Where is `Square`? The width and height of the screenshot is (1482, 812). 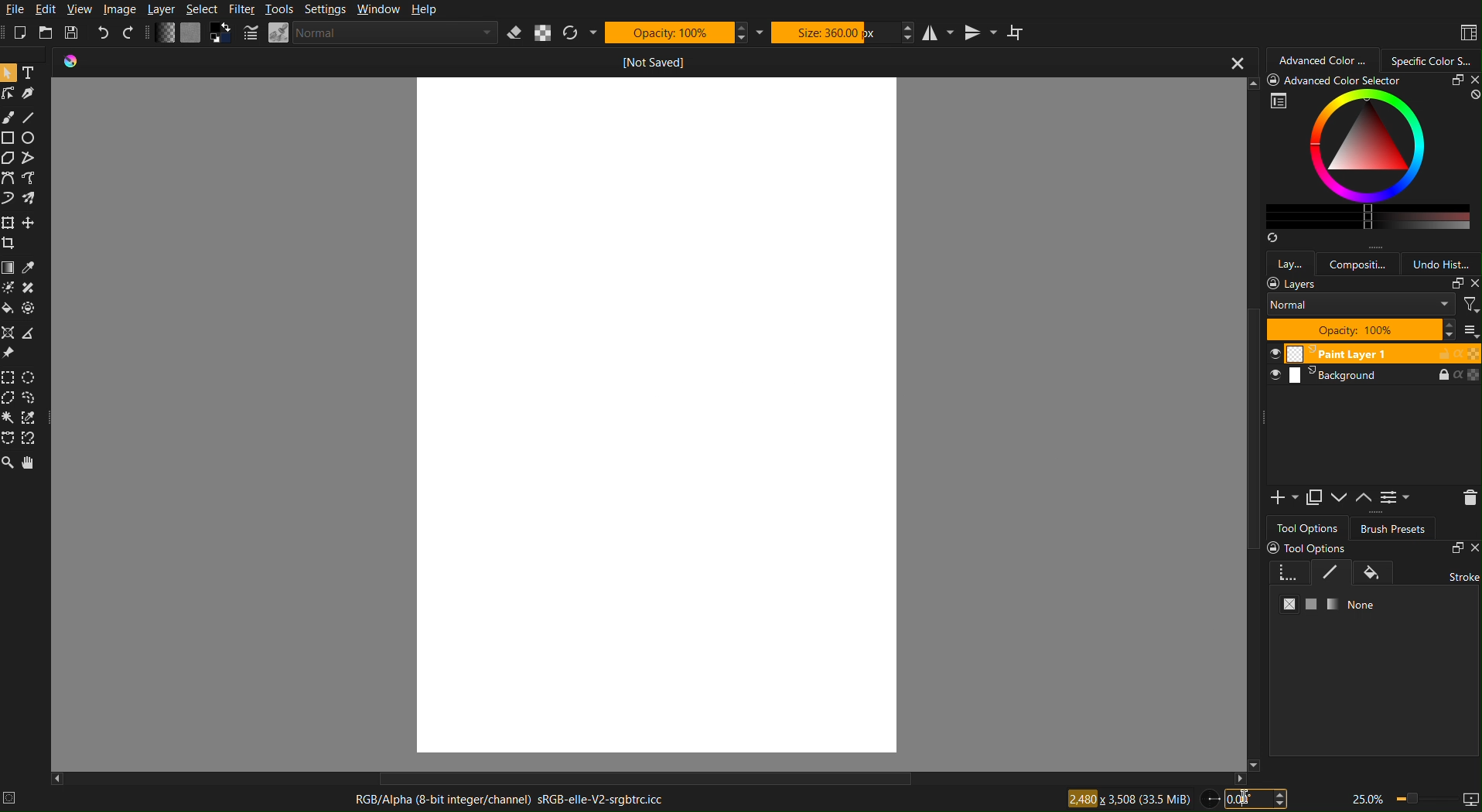 Square is located at coordinates (9, 136).